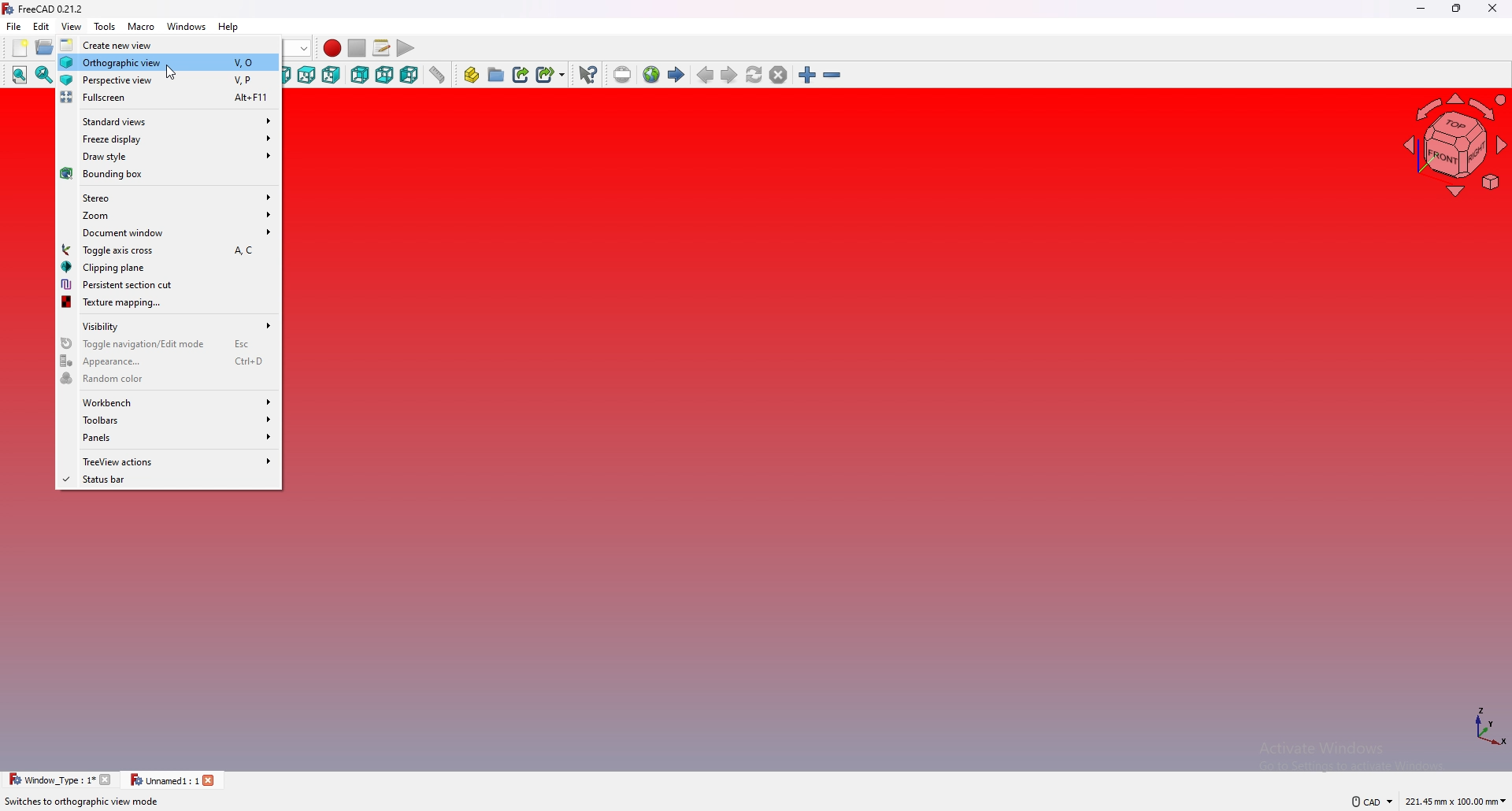 This screenshot has height=811, width=1512. Describe the element at coordinates (20, 75) in the screenshot. I see `fit all` at that location.